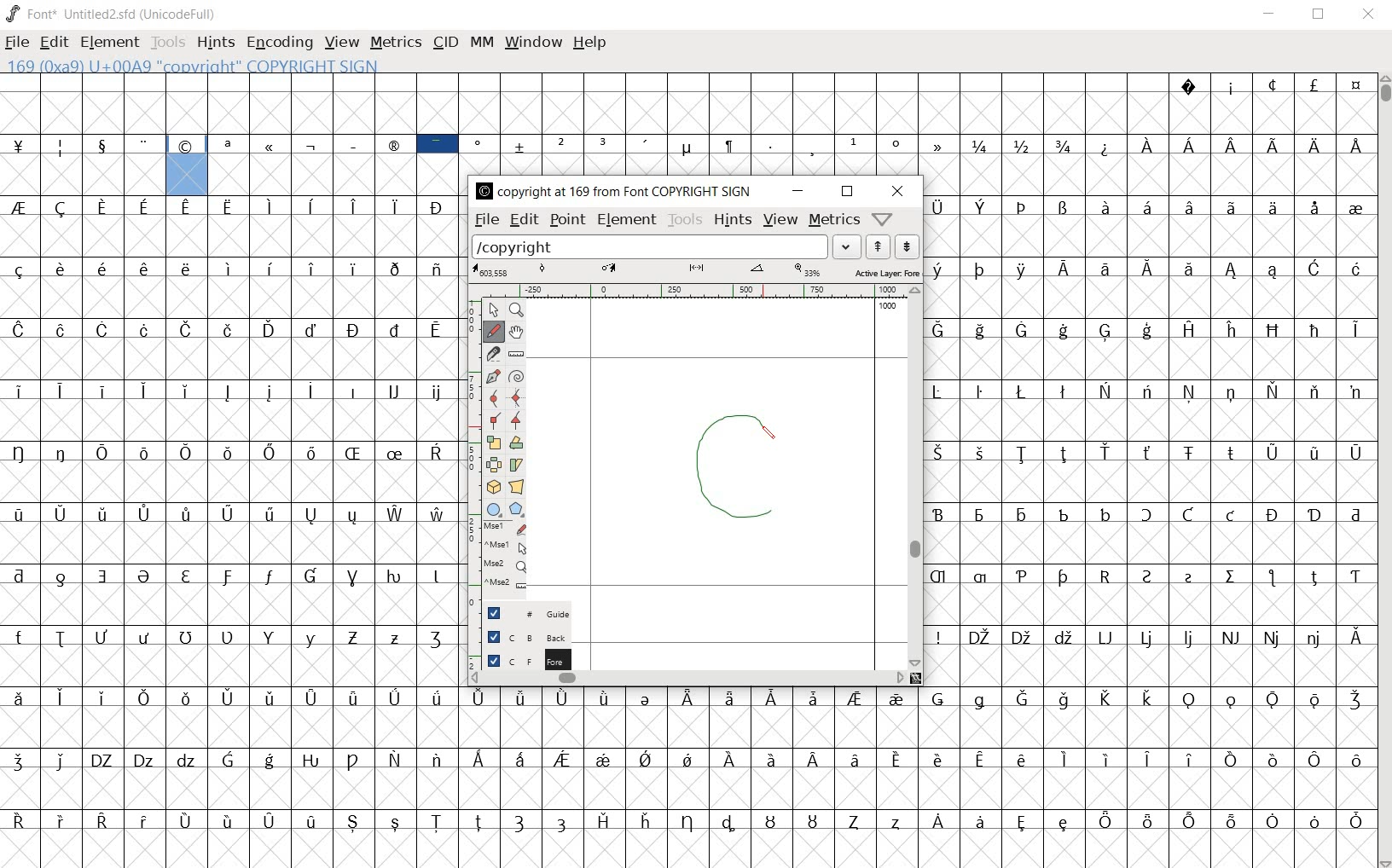  I want to click on help, so click(589, 43).